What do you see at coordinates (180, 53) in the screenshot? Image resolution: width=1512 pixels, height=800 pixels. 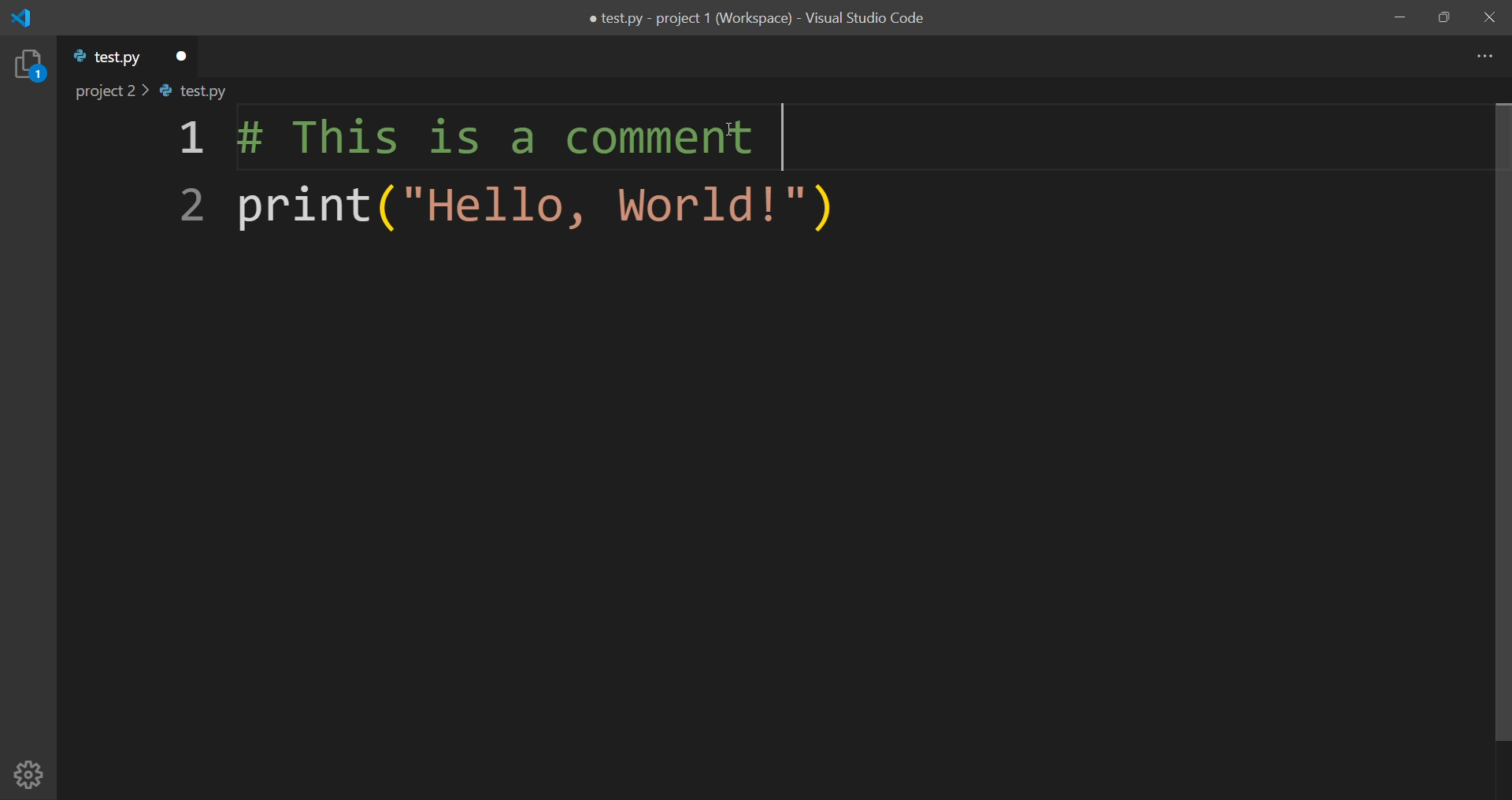 I see `close file` at bounding box center [180, 53].